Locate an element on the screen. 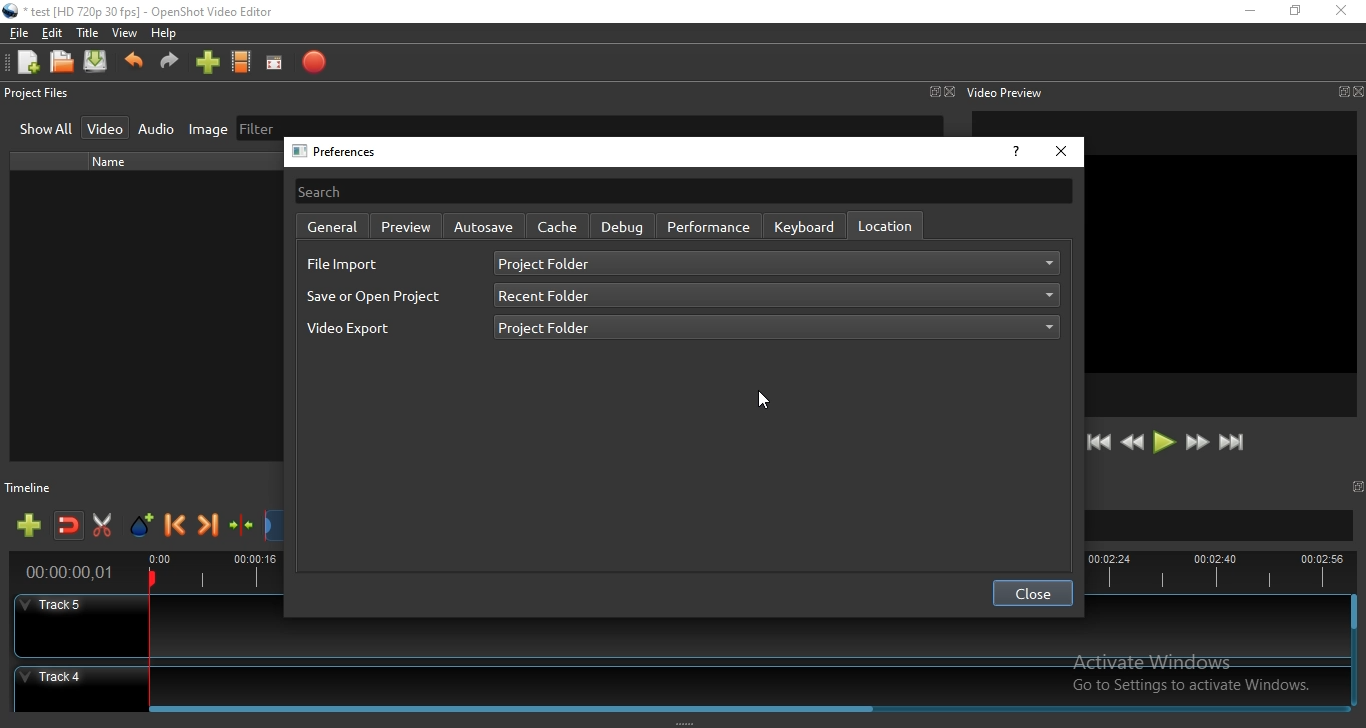  search is located at coordinates (683, 190).